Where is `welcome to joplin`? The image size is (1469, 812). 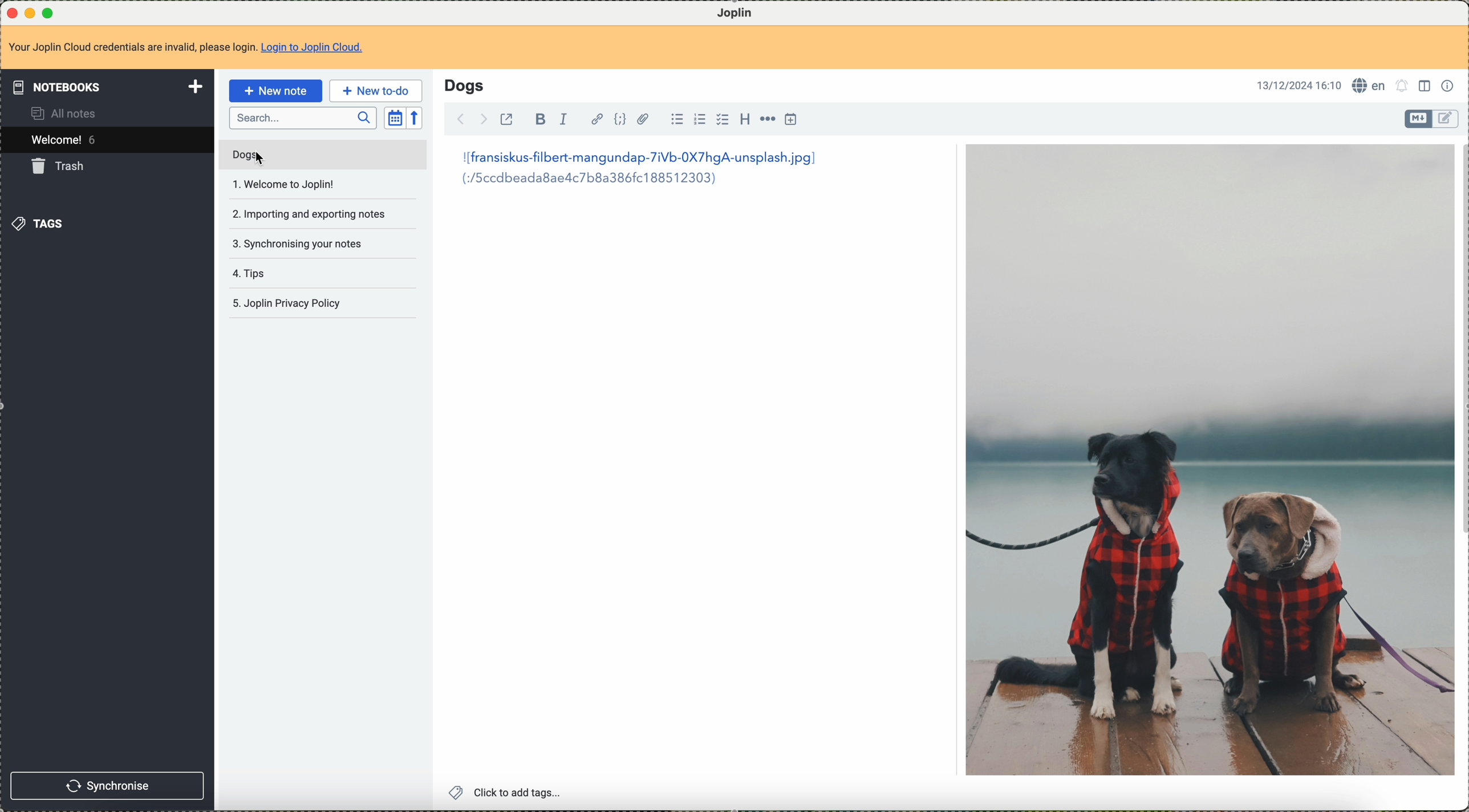 welcome to joplin is located at coordinates (286, 184).